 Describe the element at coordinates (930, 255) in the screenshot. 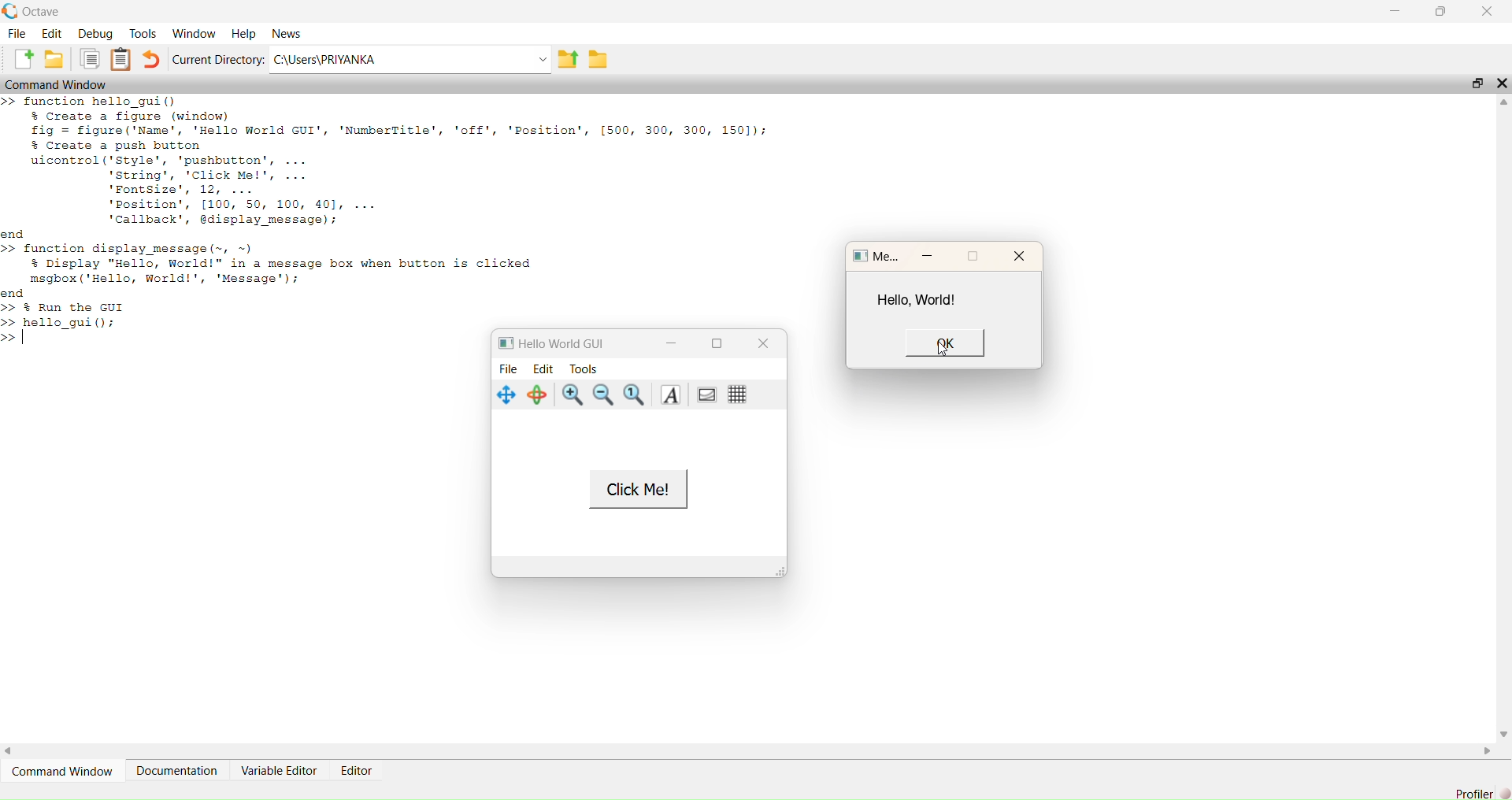

I see `minimise` at that location.